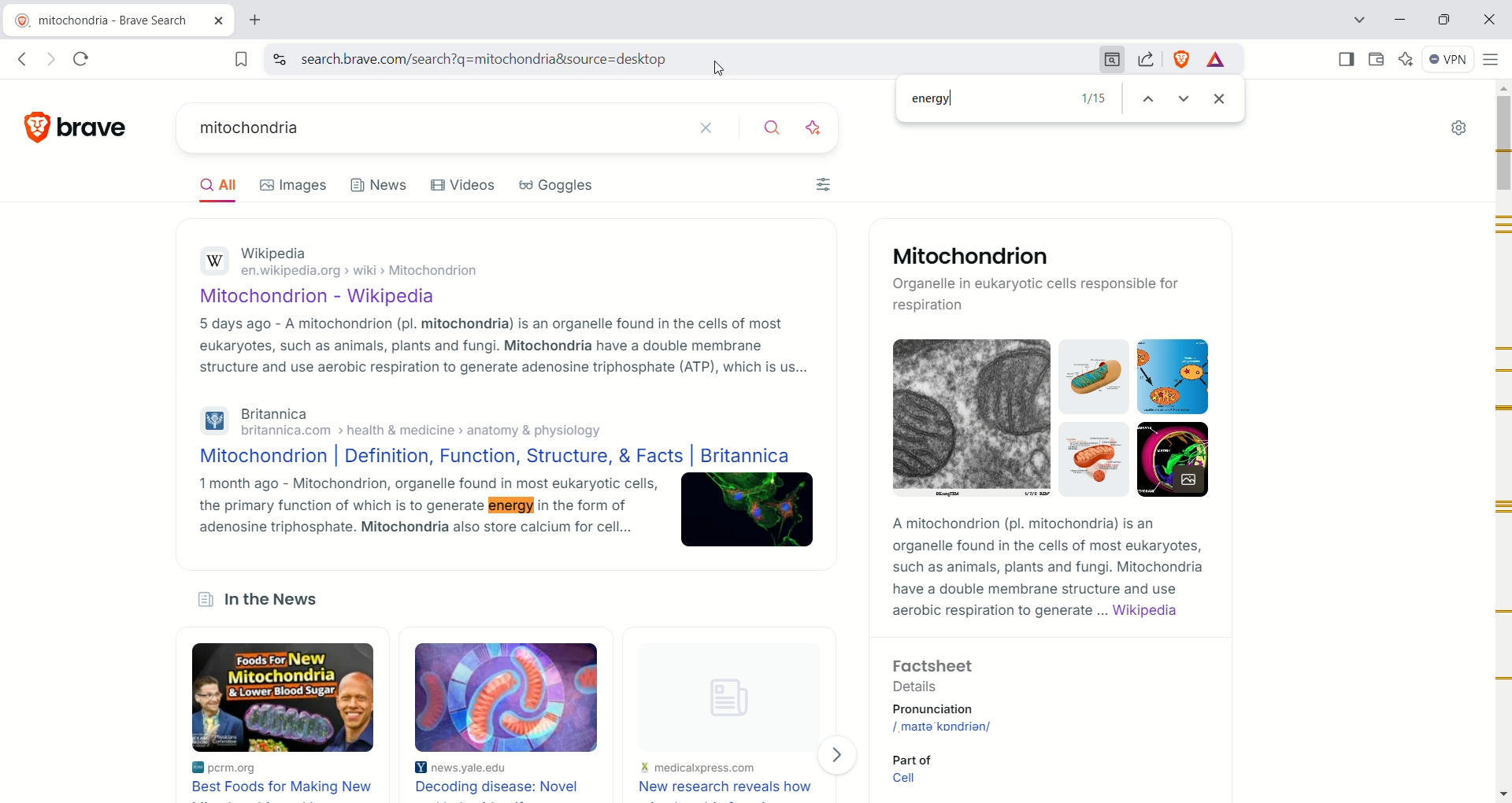 The width and height of the screenshot is (1512, 803). Describe the element at coordinates (433, 128) in the screenshot. I see `mitochondria` at that location.